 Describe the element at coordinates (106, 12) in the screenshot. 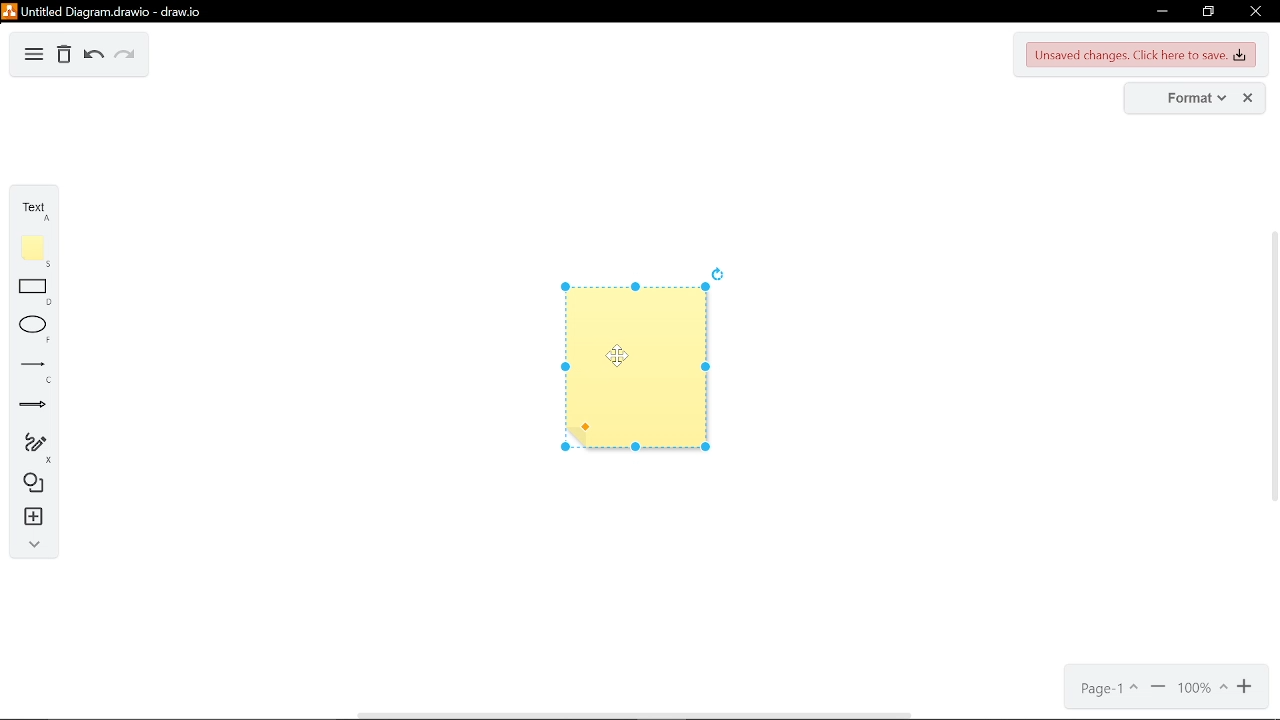

I see `current window: Untitled Diagram.drawio - draw.io` at that location.